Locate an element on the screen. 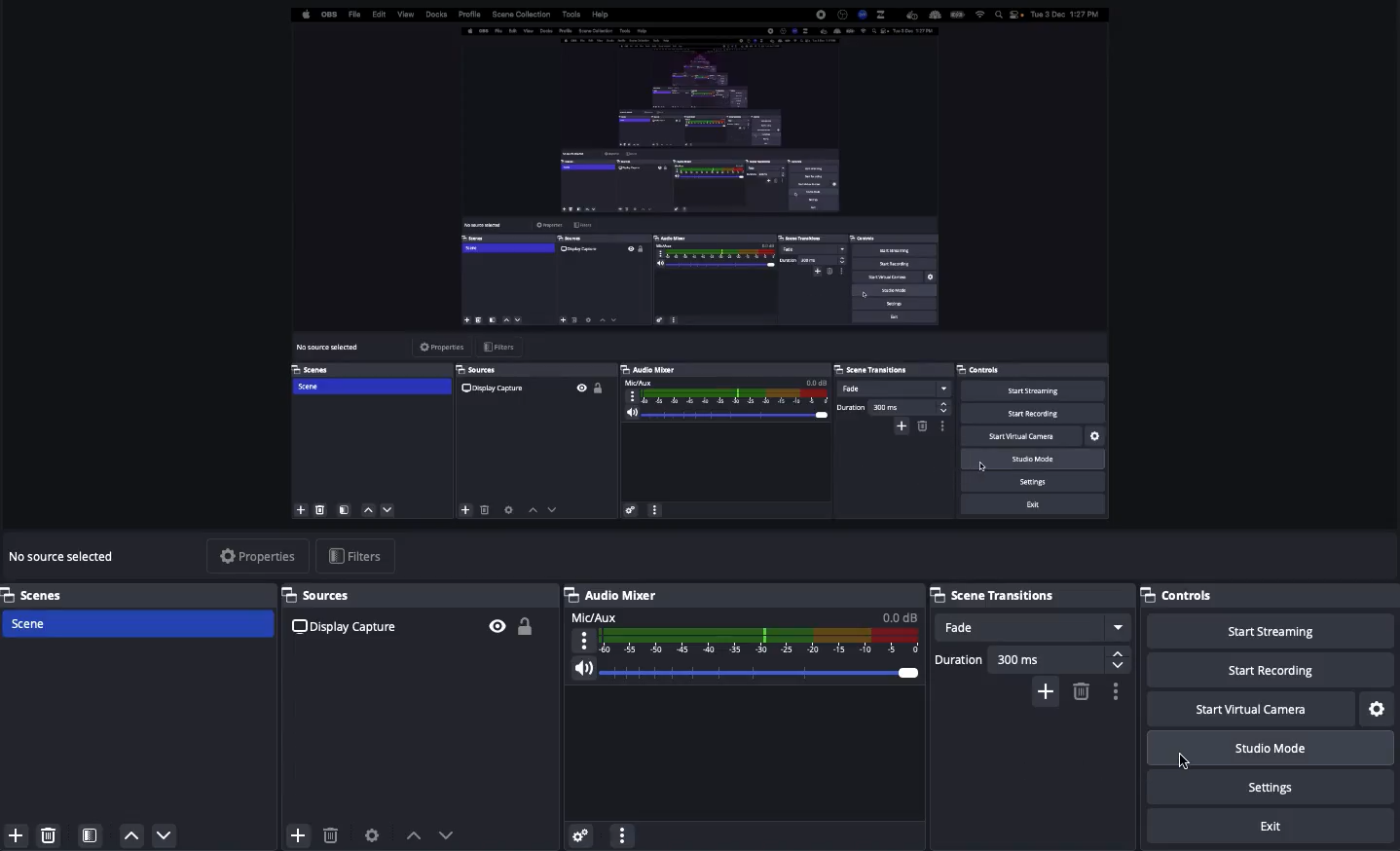  Audio mixer is located at coordinates (611, 595).